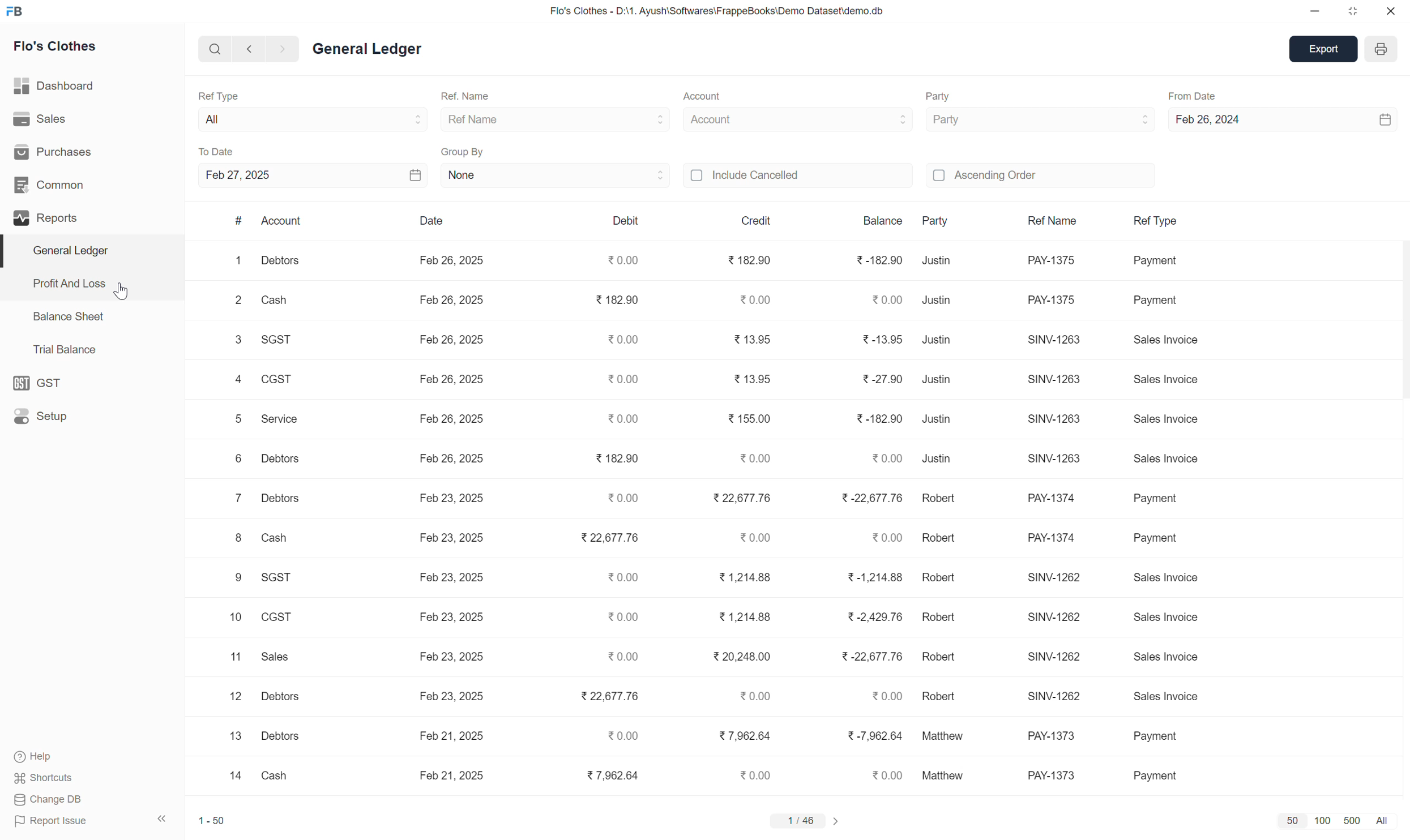 This screenshot has height=840, width=1410. Describe the element at coordinates (758, 220) in the screenshot. I see `Credit` at that location.